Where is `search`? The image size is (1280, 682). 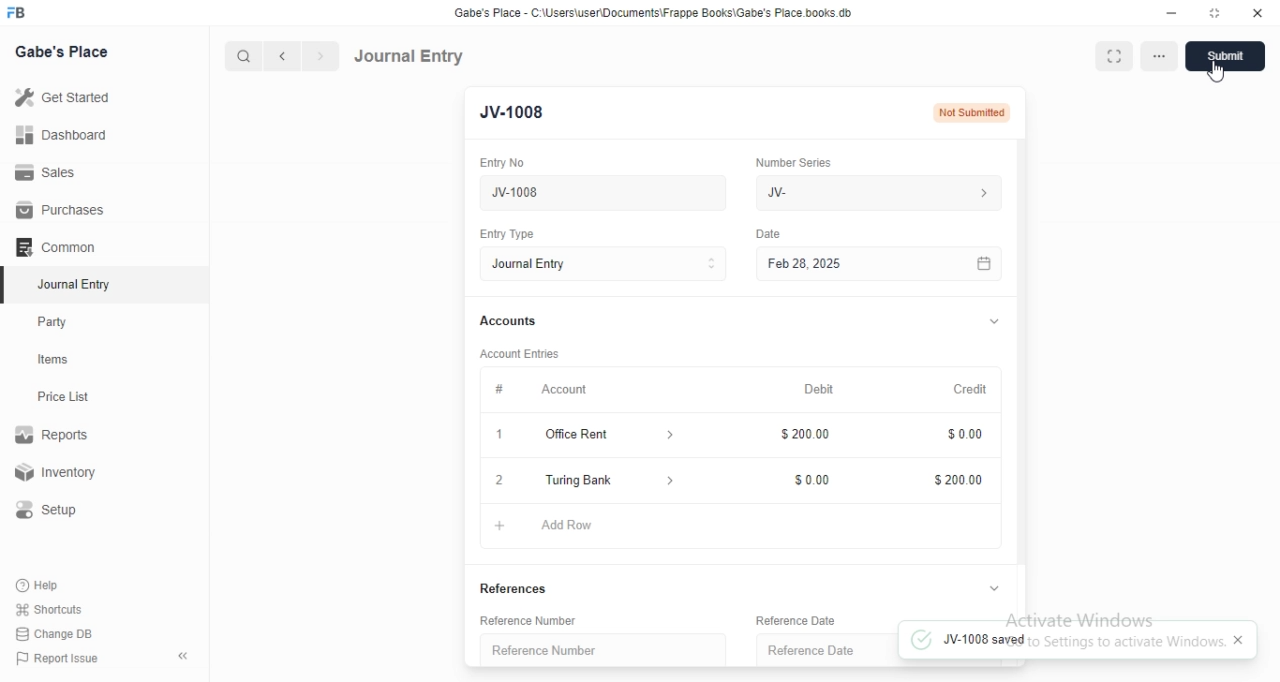
search is located at coordinates (241, 56).